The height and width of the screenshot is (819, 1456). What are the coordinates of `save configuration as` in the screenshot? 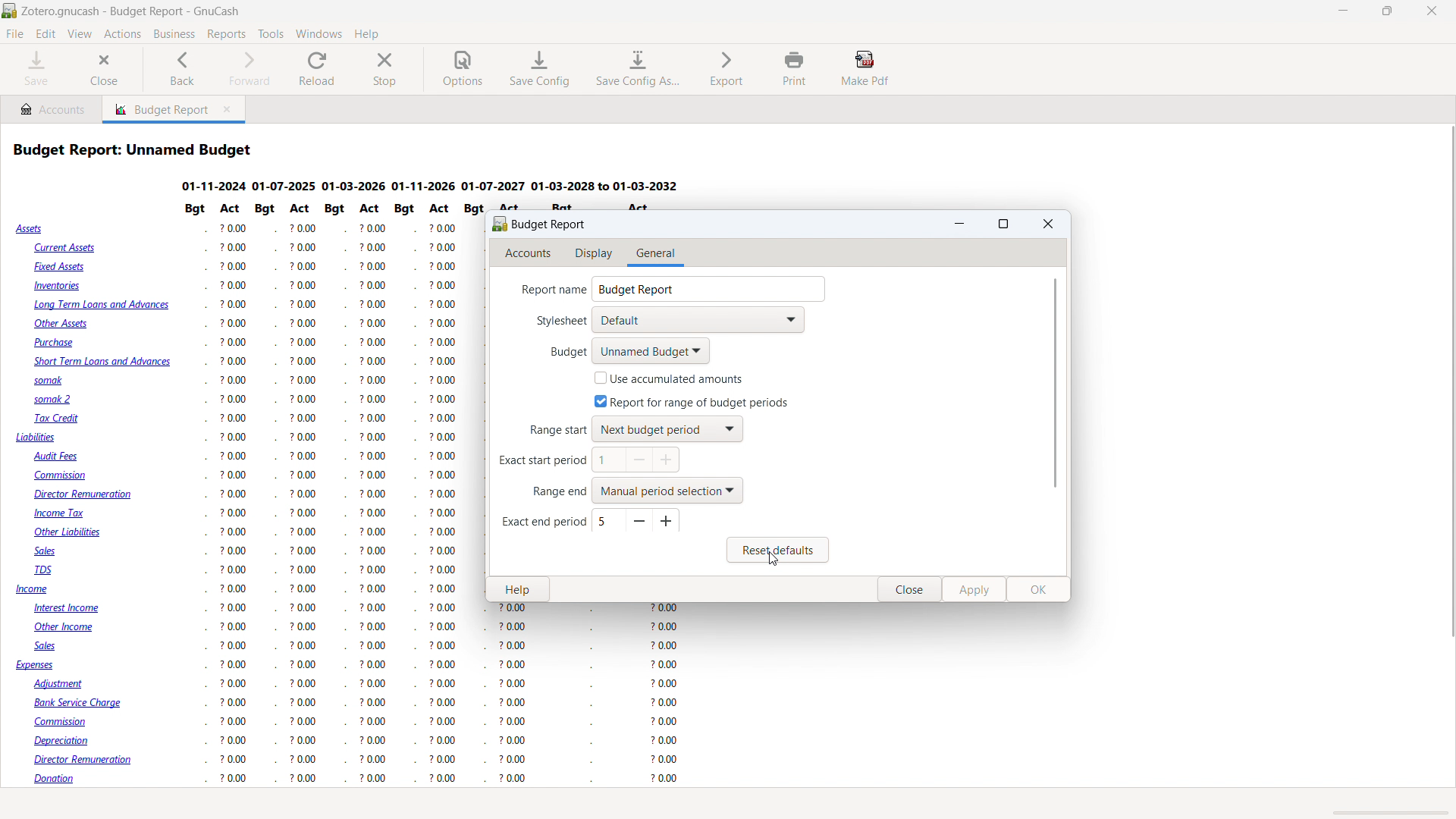 It's located at (636, 69).